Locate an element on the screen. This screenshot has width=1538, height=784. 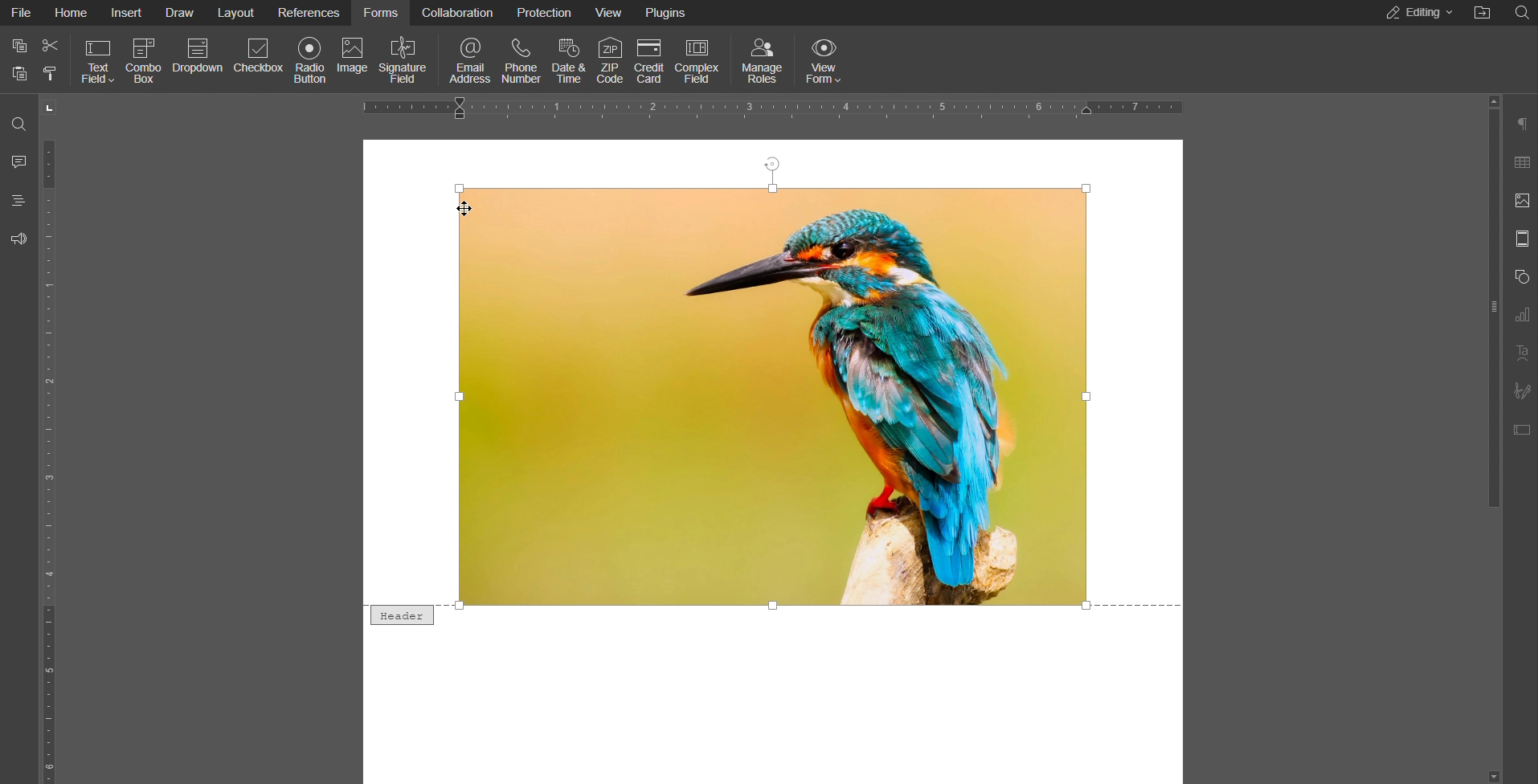
Horizontal Ruler is located at coordinates (776, 108).